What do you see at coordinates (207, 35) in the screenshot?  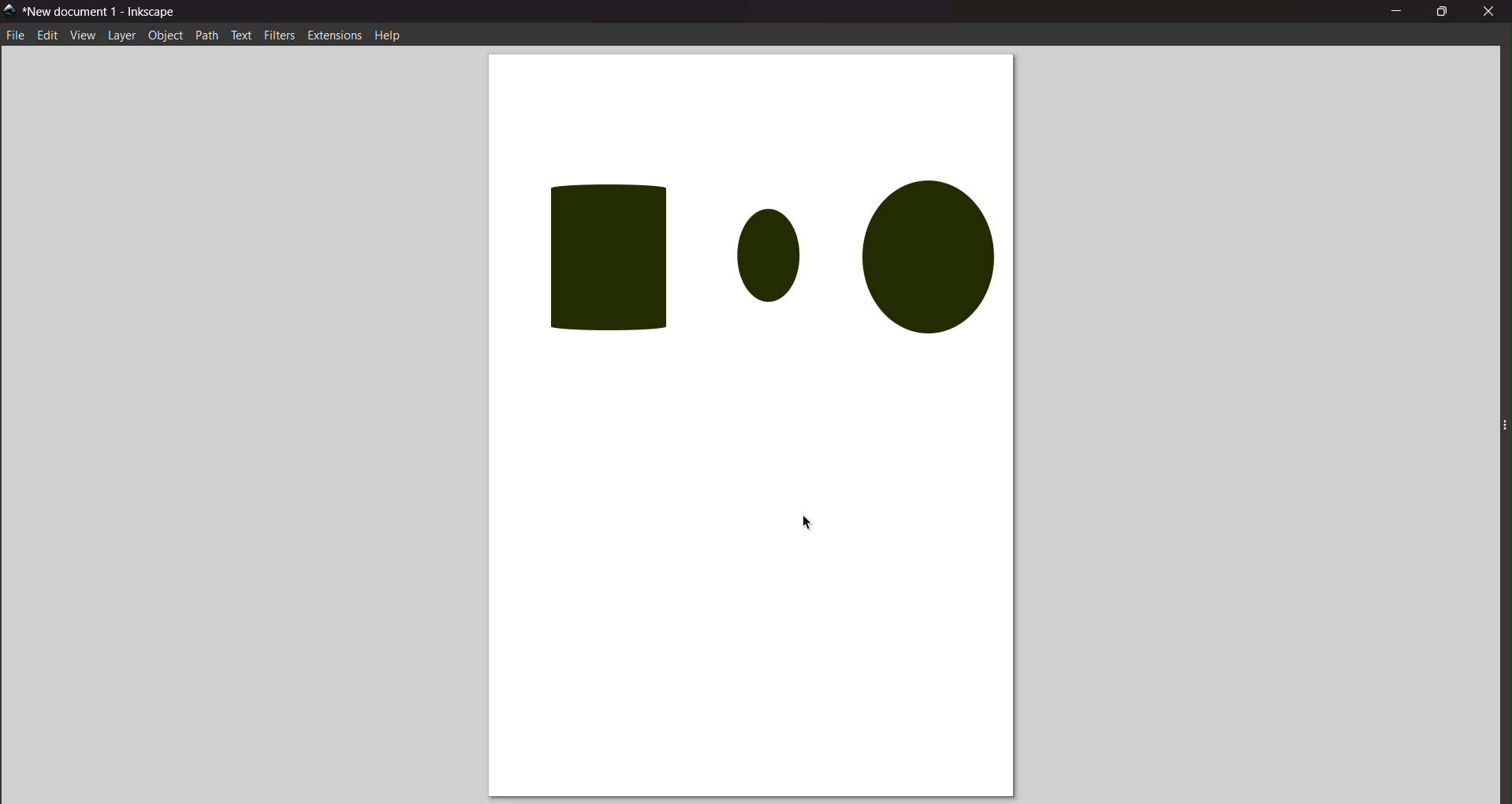 I see `path` at bounding box center [207, 35].